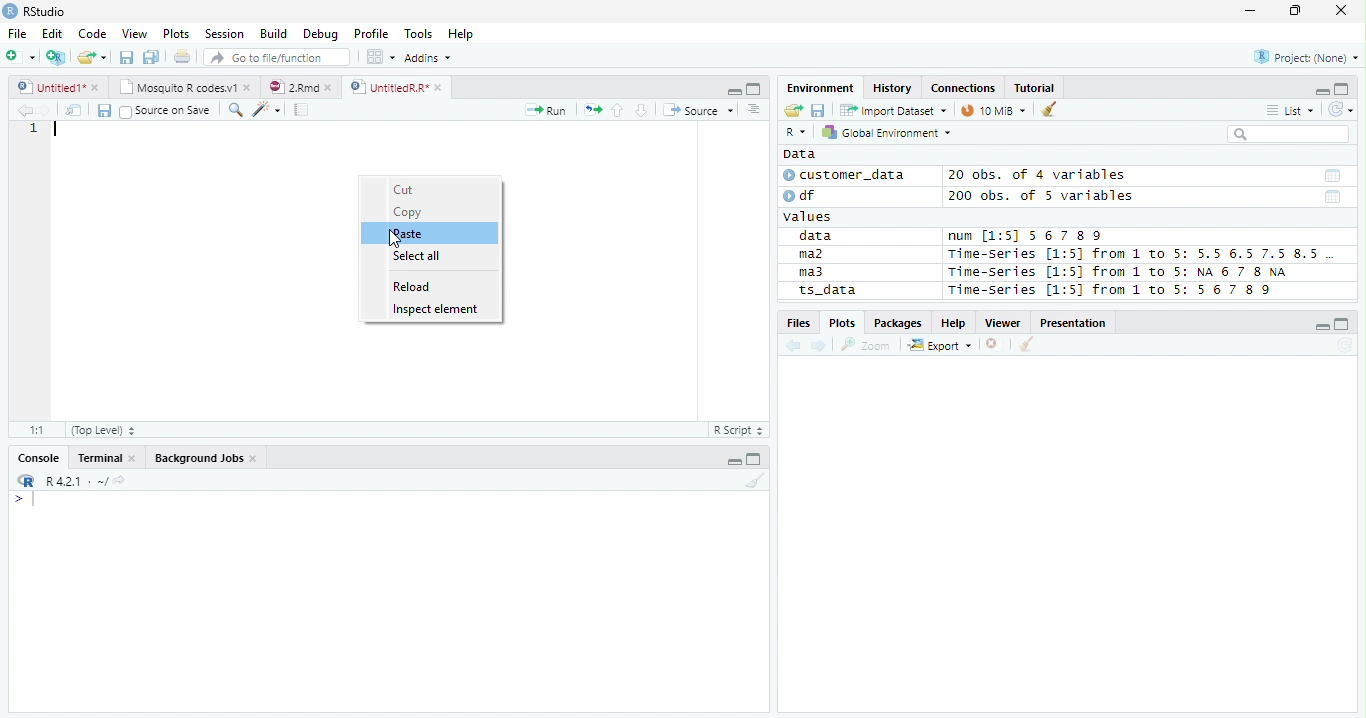  I want to click on History, so click(894, 89).